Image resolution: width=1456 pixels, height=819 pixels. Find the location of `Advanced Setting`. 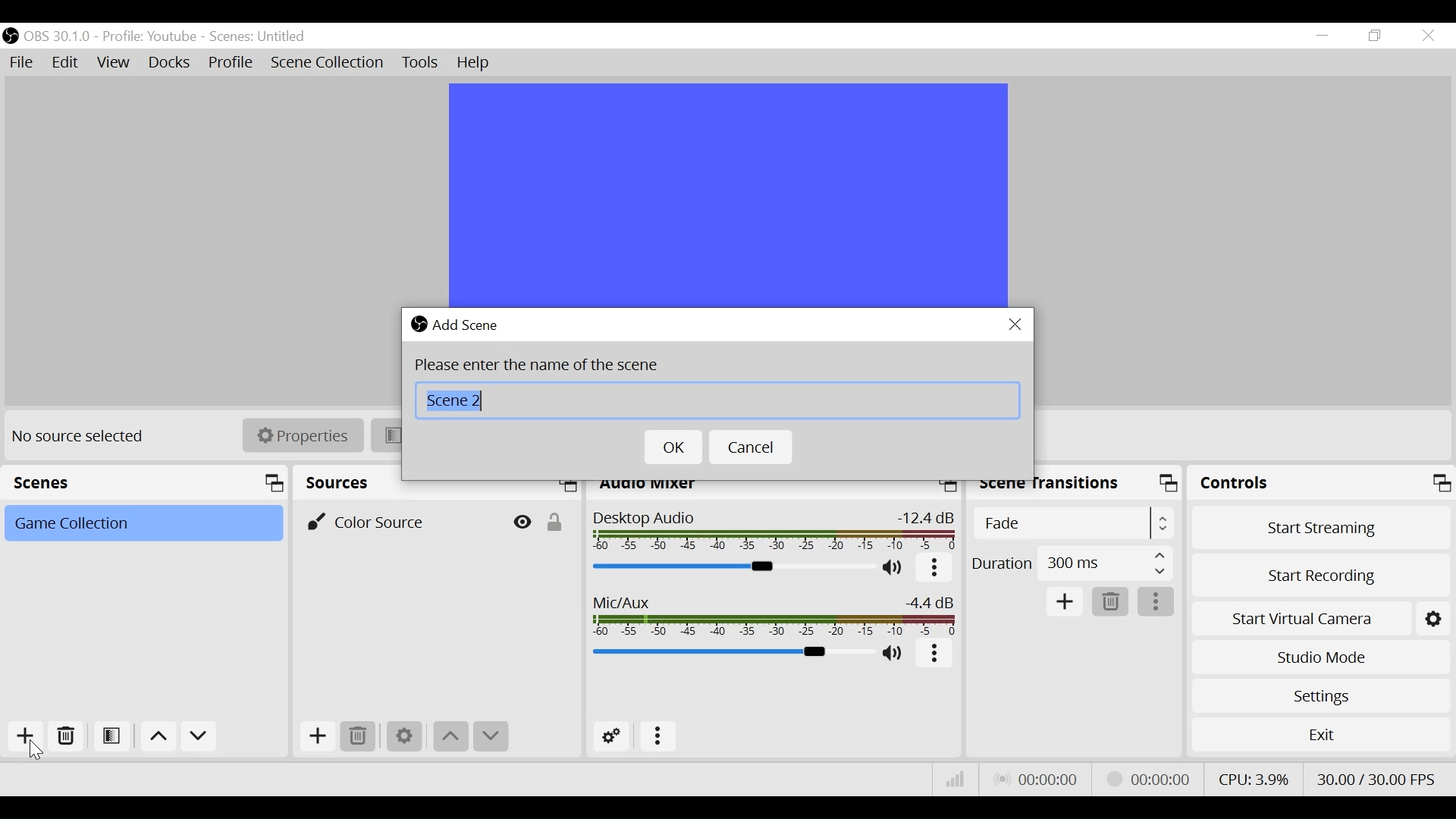

Advanced Setting is located at coordinates (612, 736).